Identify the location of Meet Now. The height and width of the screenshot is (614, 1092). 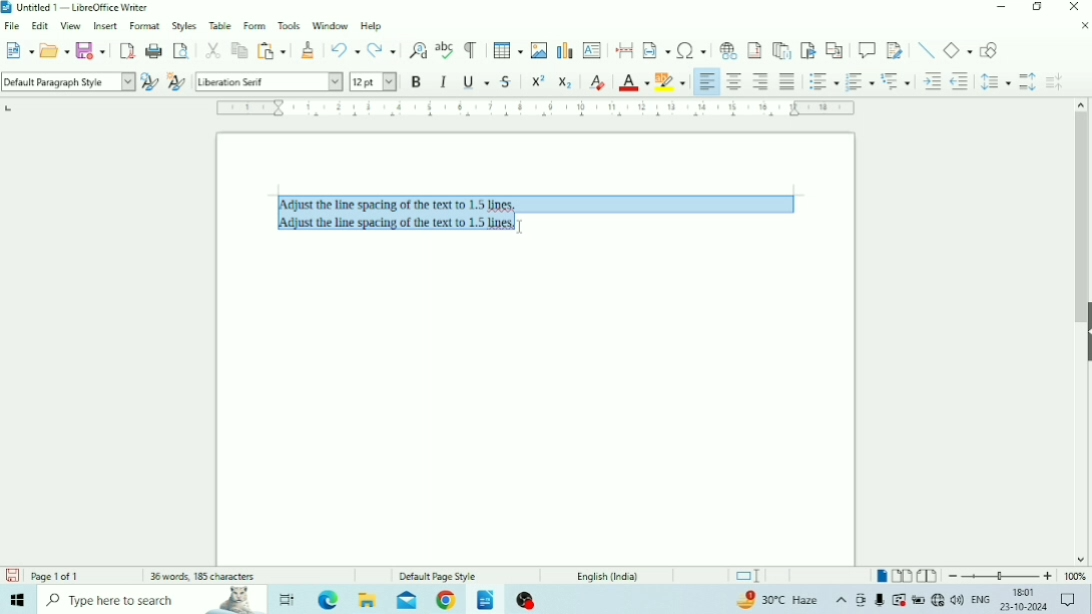
(862, 600).